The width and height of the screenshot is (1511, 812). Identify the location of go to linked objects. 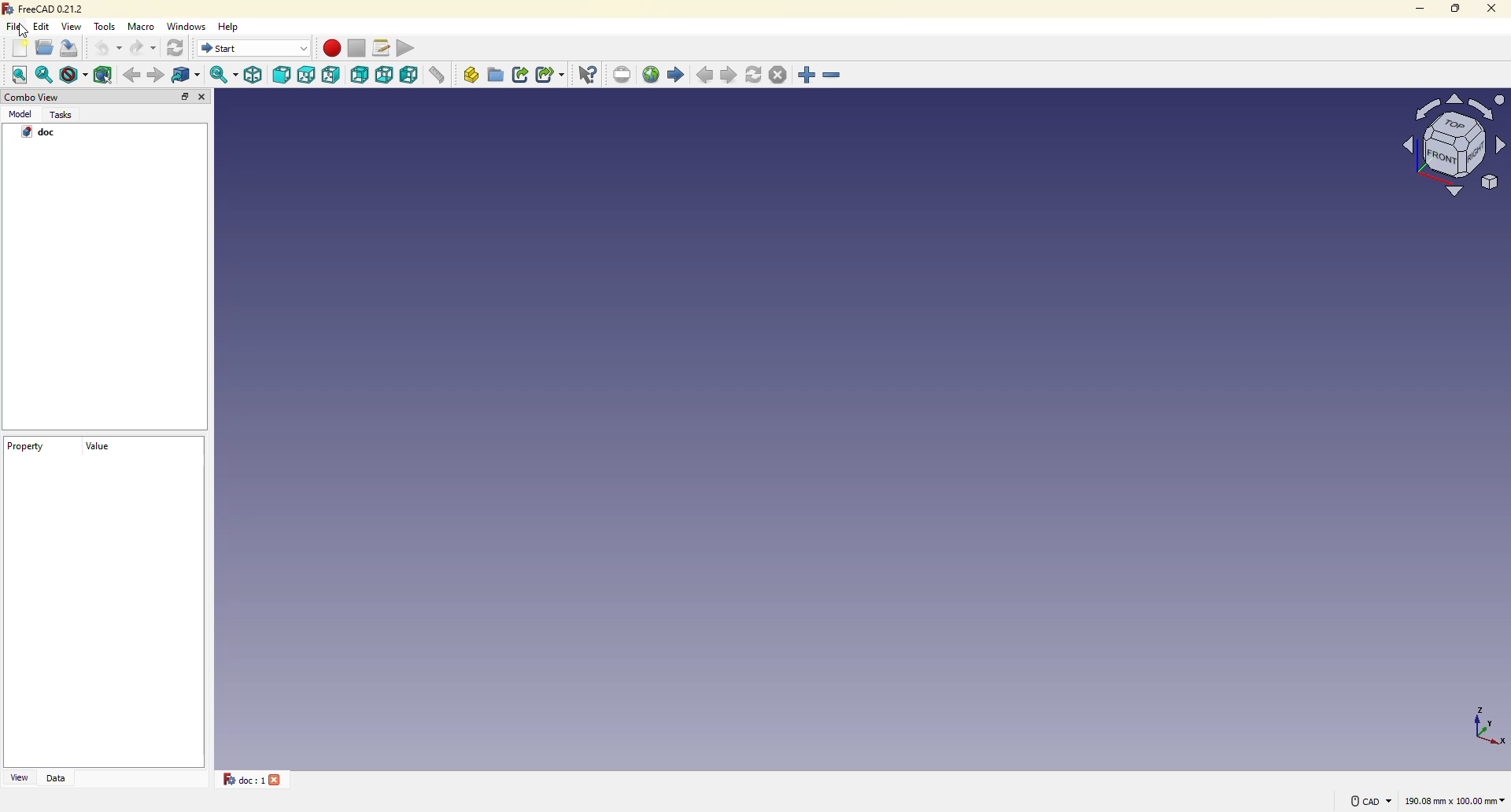
(190, 76).